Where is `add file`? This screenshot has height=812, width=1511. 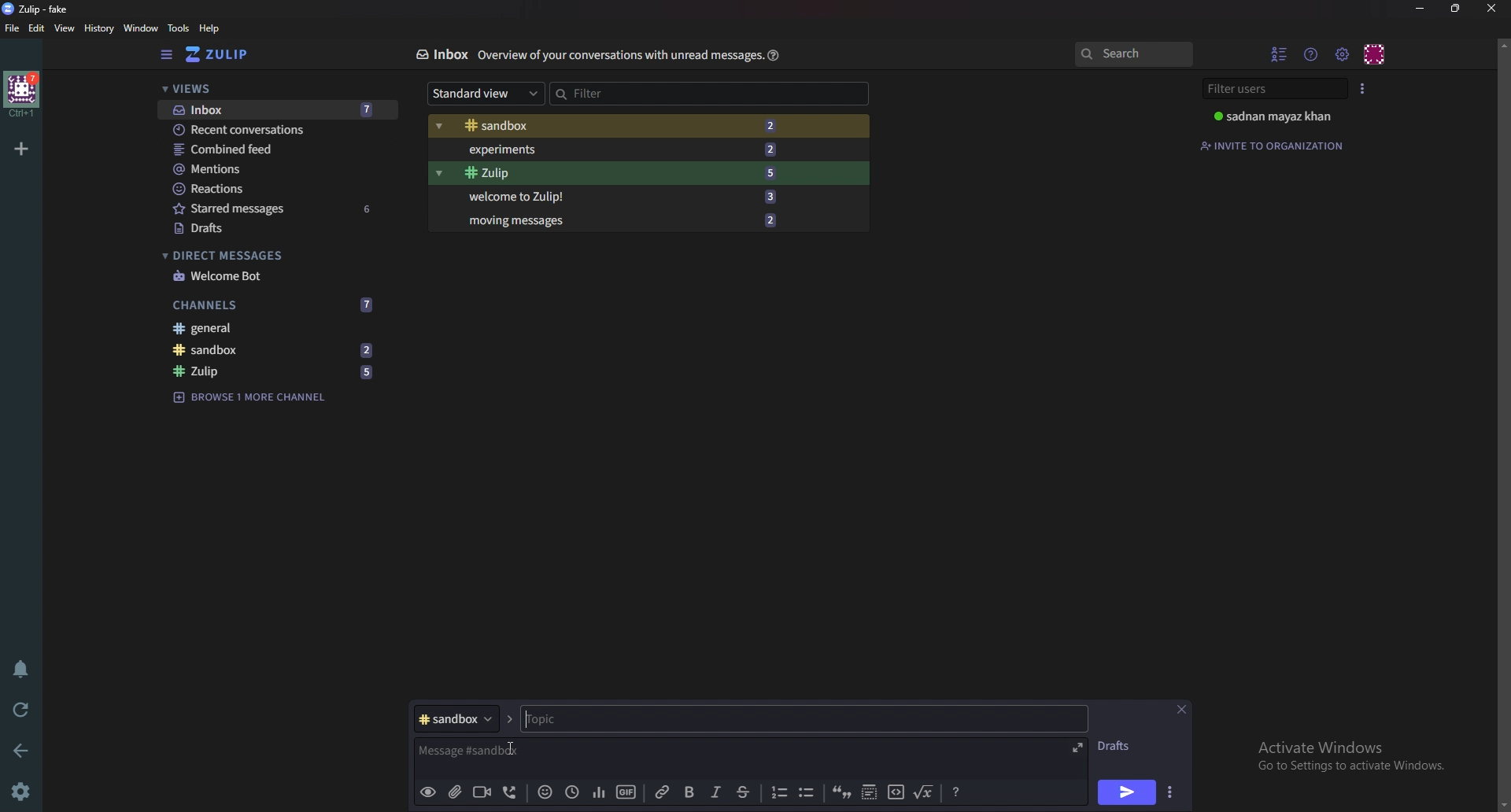 add file is located at coordinates (453, 792).